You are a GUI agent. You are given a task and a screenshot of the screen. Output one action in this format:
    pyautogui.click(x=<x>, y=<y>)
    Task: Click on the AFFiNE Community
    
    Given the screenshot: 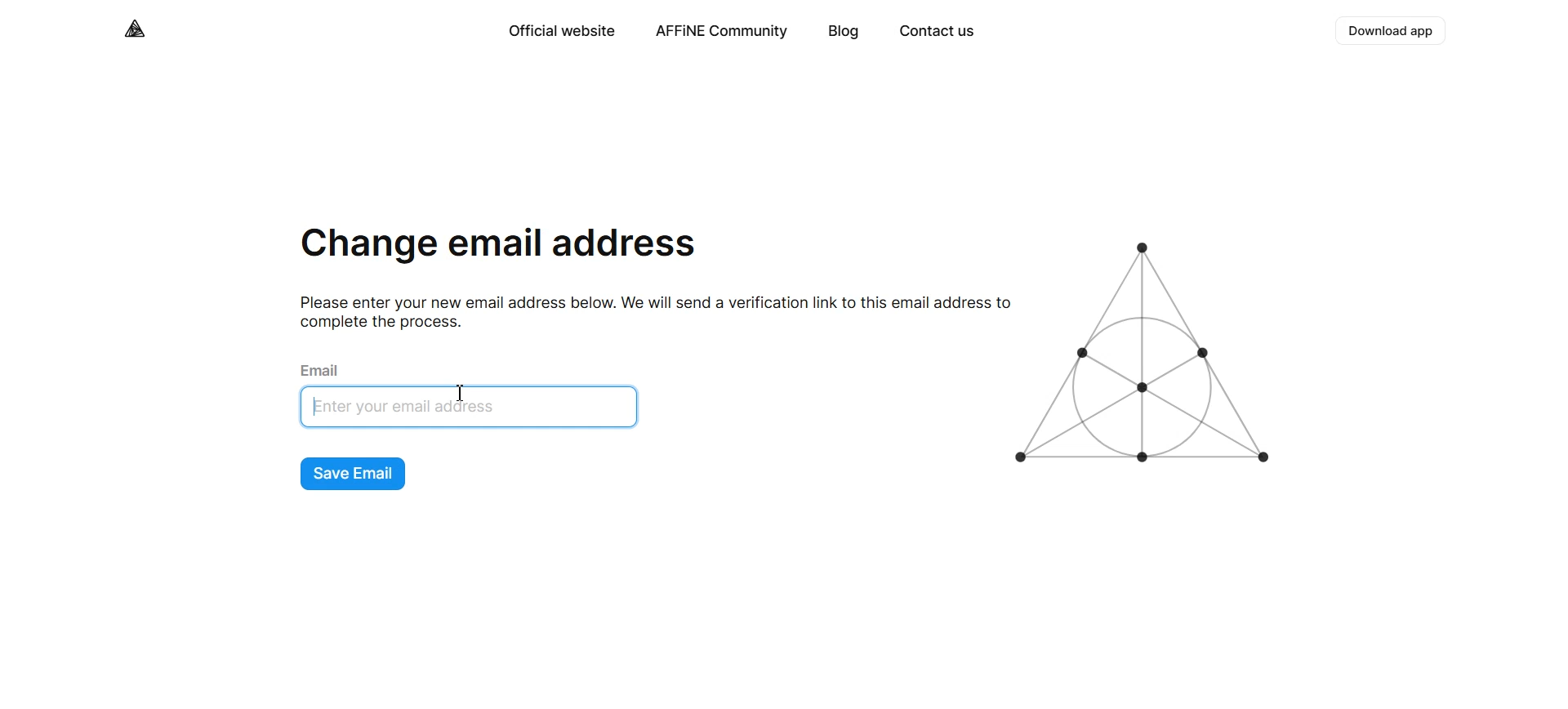 What is the action you would take?
    pyautogui.click(x=722, y=32)
    